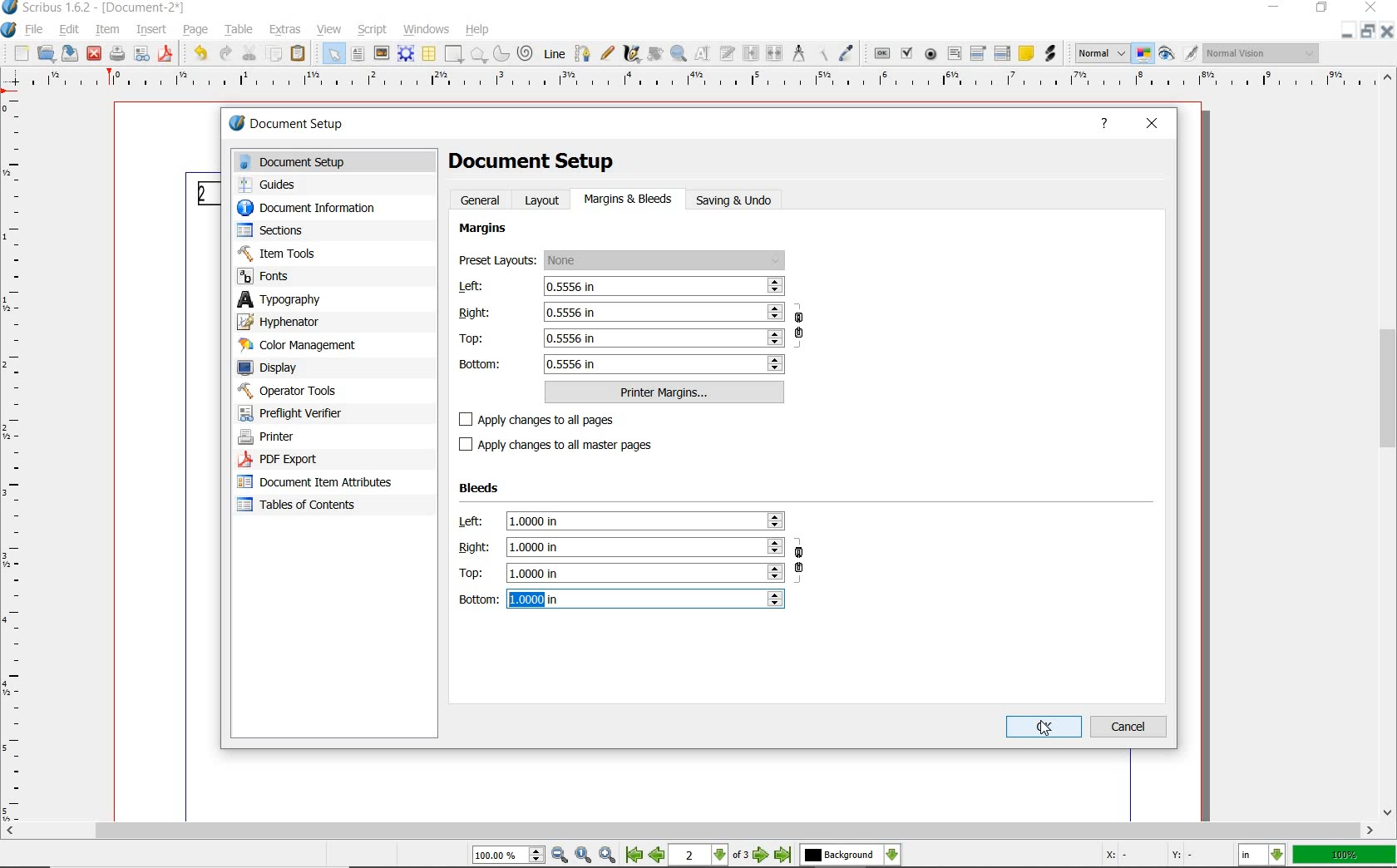  I want to click on preflight verifier, so click(294, 415).